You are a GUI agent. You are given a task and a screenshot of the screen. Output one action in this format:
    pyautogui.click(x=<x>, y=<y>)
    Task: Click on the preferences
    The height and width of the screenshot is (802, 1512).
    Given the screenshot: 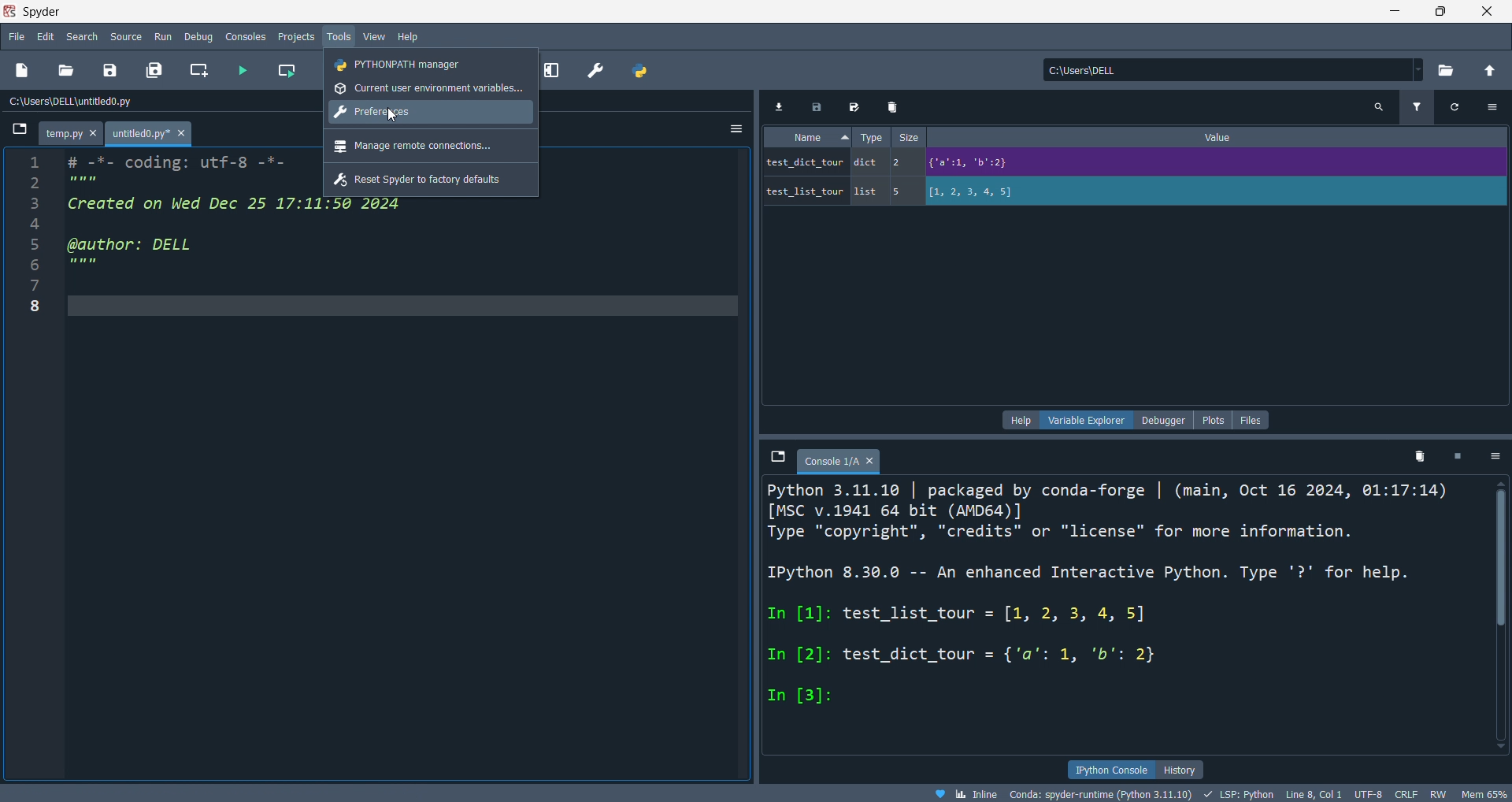 What is the action you would take?
    pyautogui.click(x=432, y=110)
    